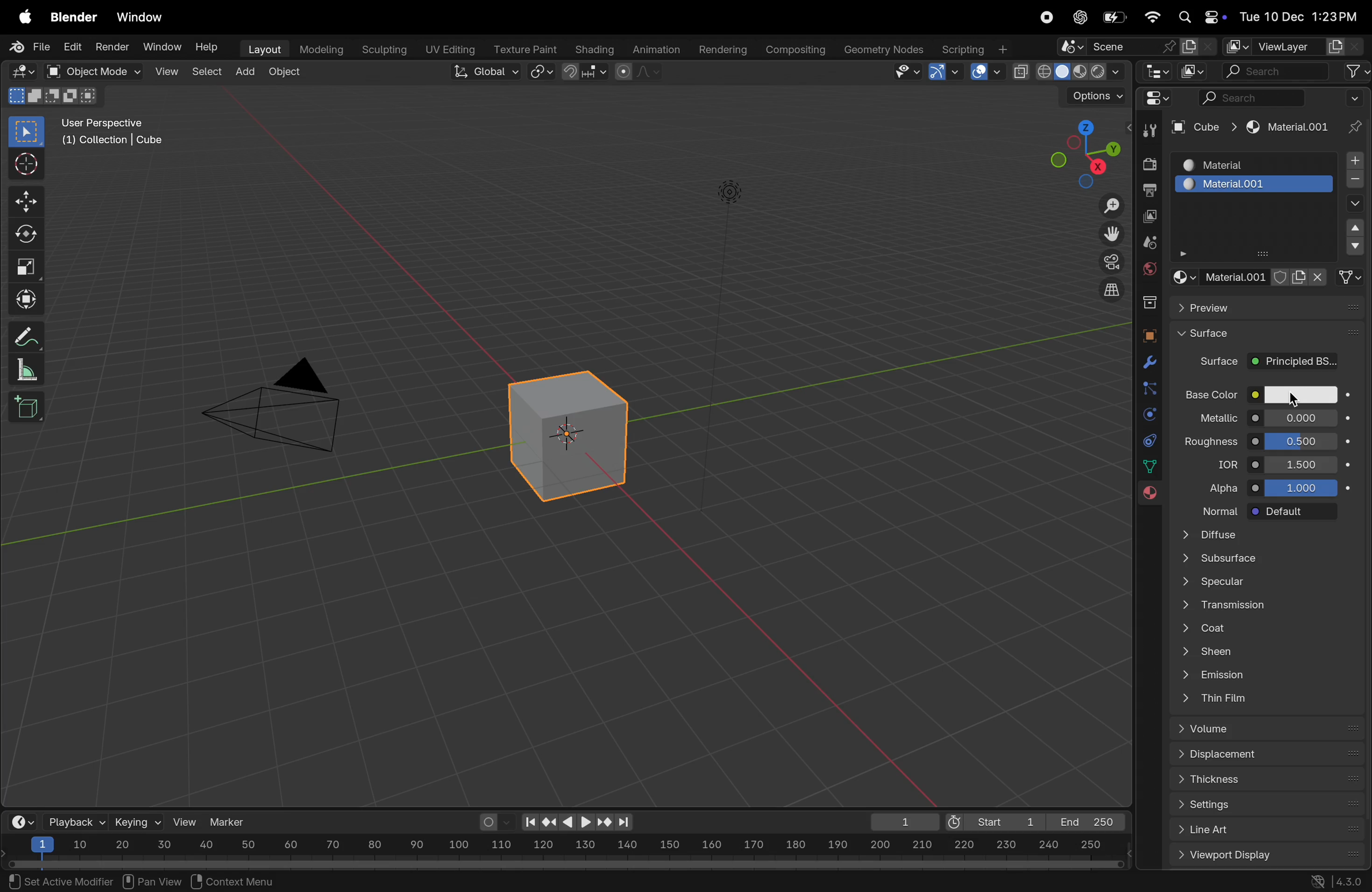 Image resolution: width=1372 pixels, height=892 pixels. What do you see at coordinates (1352, 161) in the screenshot?
I see `add material` at bounding box center [1352, 161].